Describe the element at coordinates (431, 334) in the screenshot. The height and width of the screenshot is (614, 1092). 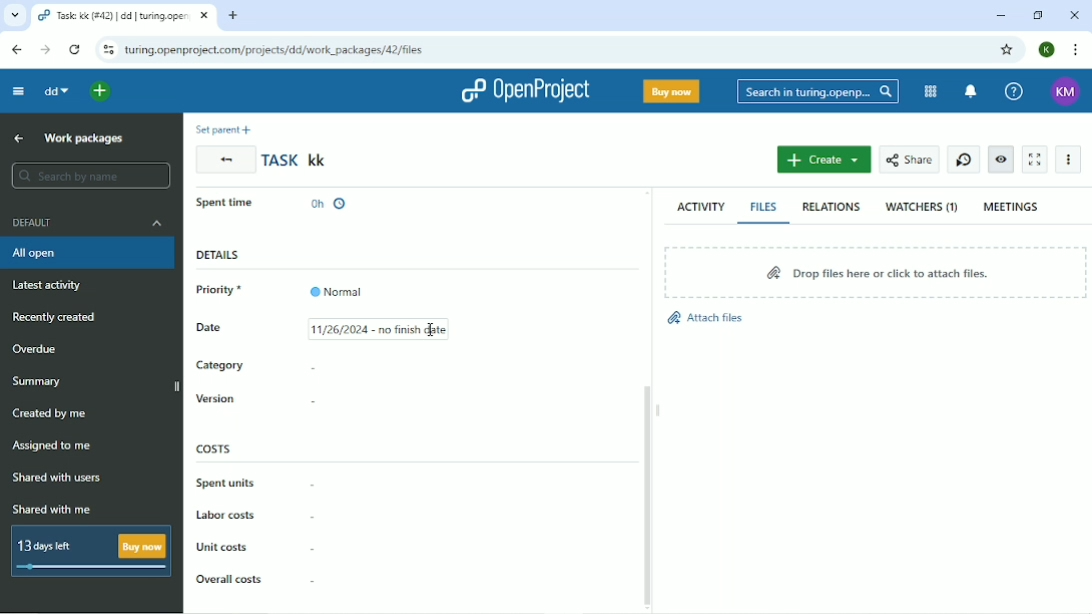
I see `cursor` at that location.